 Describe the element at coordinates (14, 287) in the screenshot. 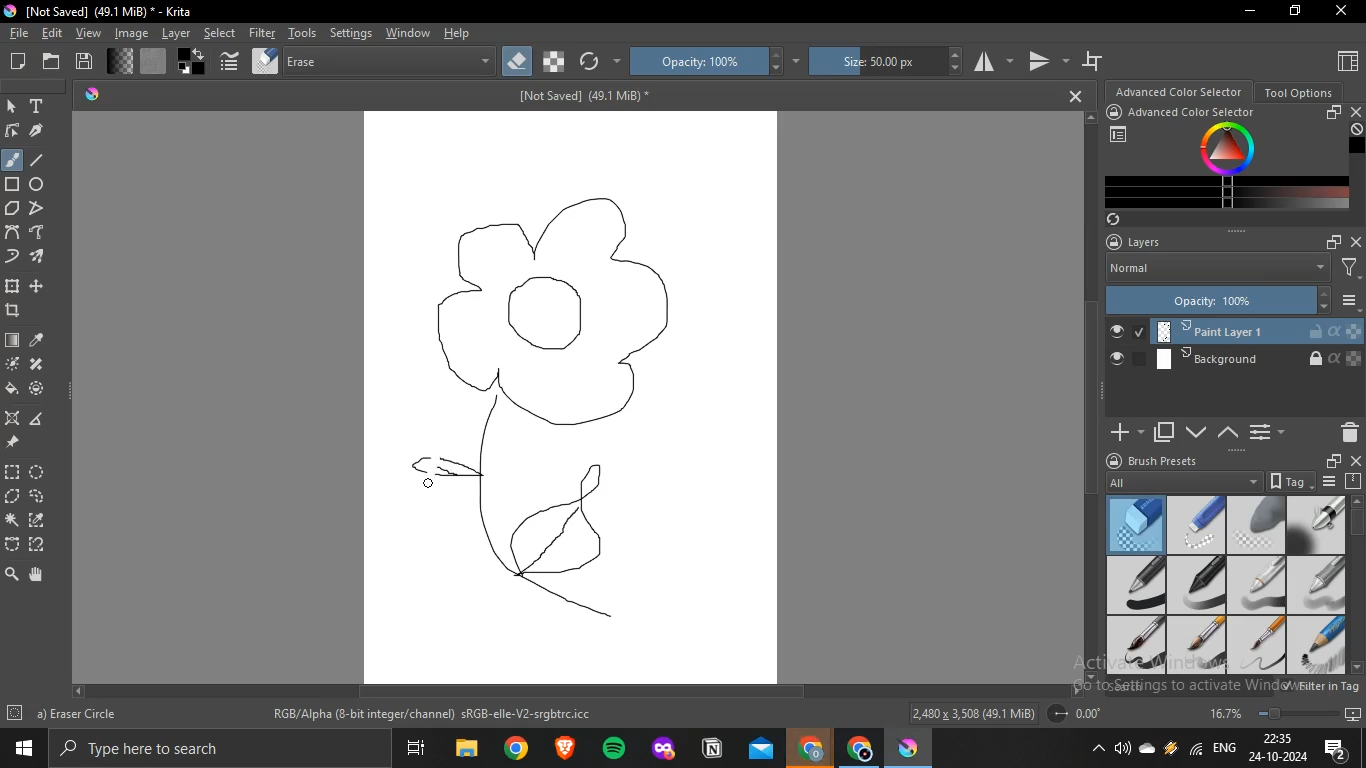

I see `transform layer` at that location.